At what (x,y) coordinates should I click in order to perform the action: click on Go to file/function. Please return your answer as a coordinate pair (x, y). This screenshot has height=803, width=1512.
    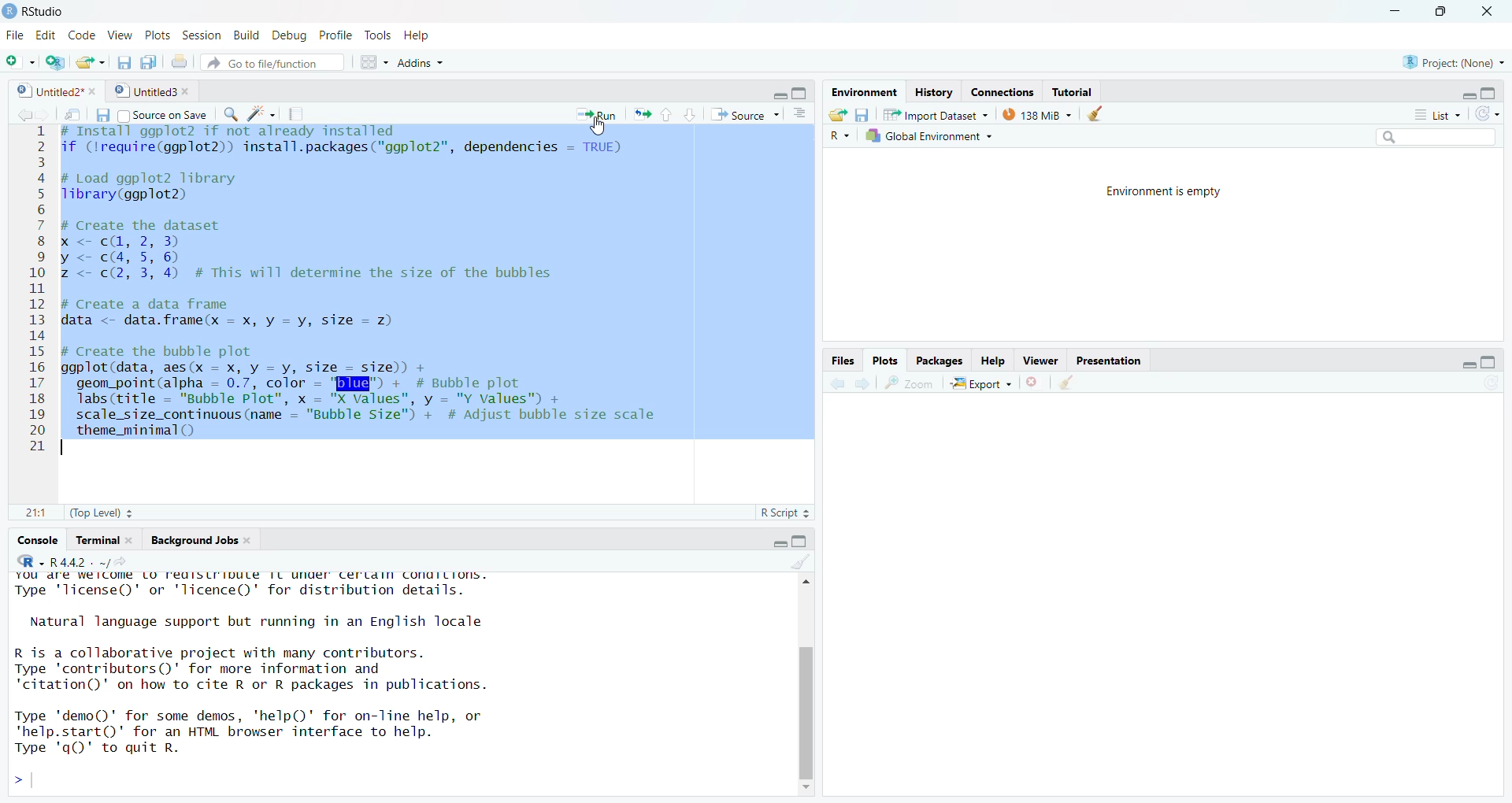
    Looking at the image, I should click on (272, 62).